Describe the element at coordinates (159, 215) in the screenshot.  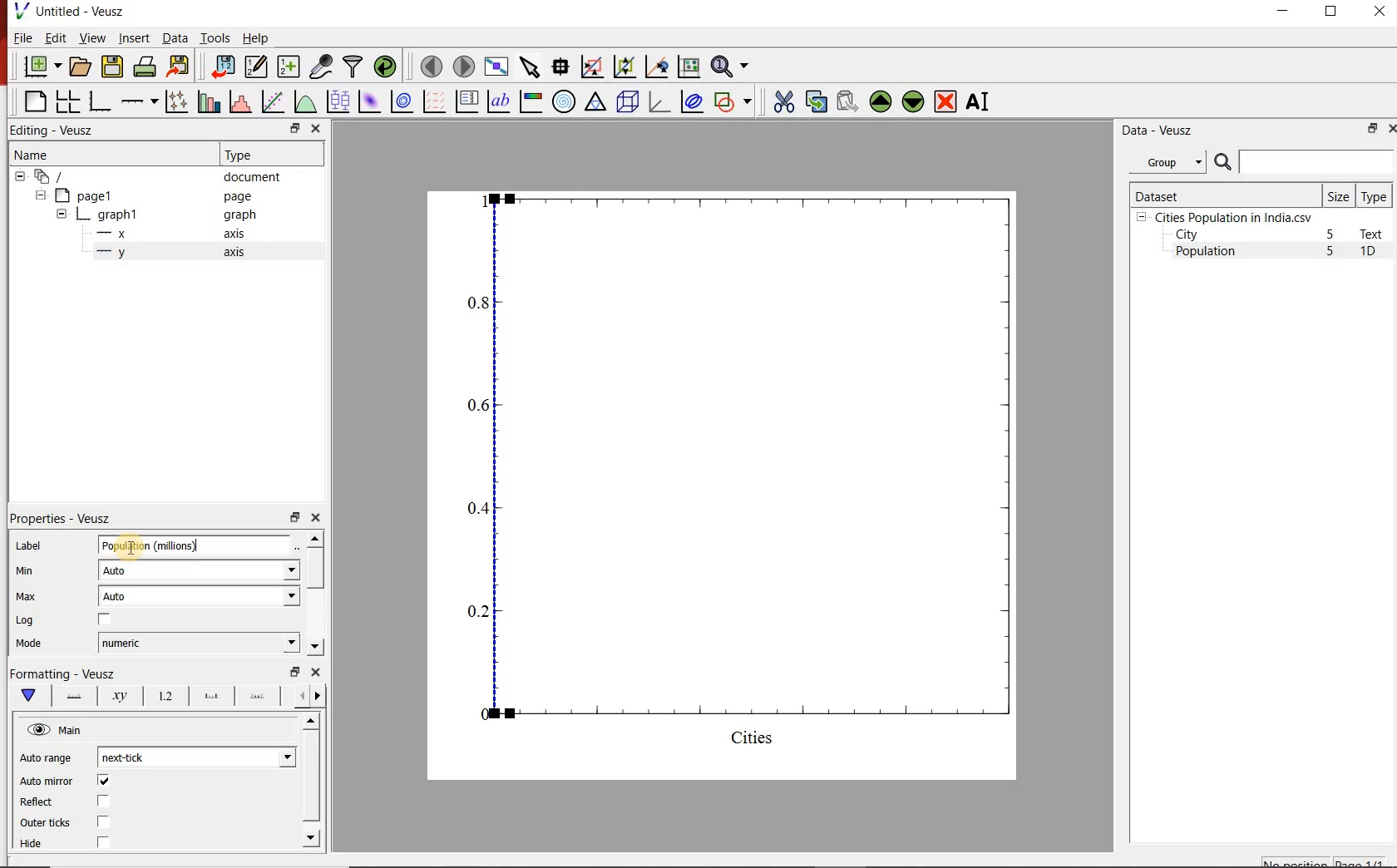
I see `graph1` at that location.